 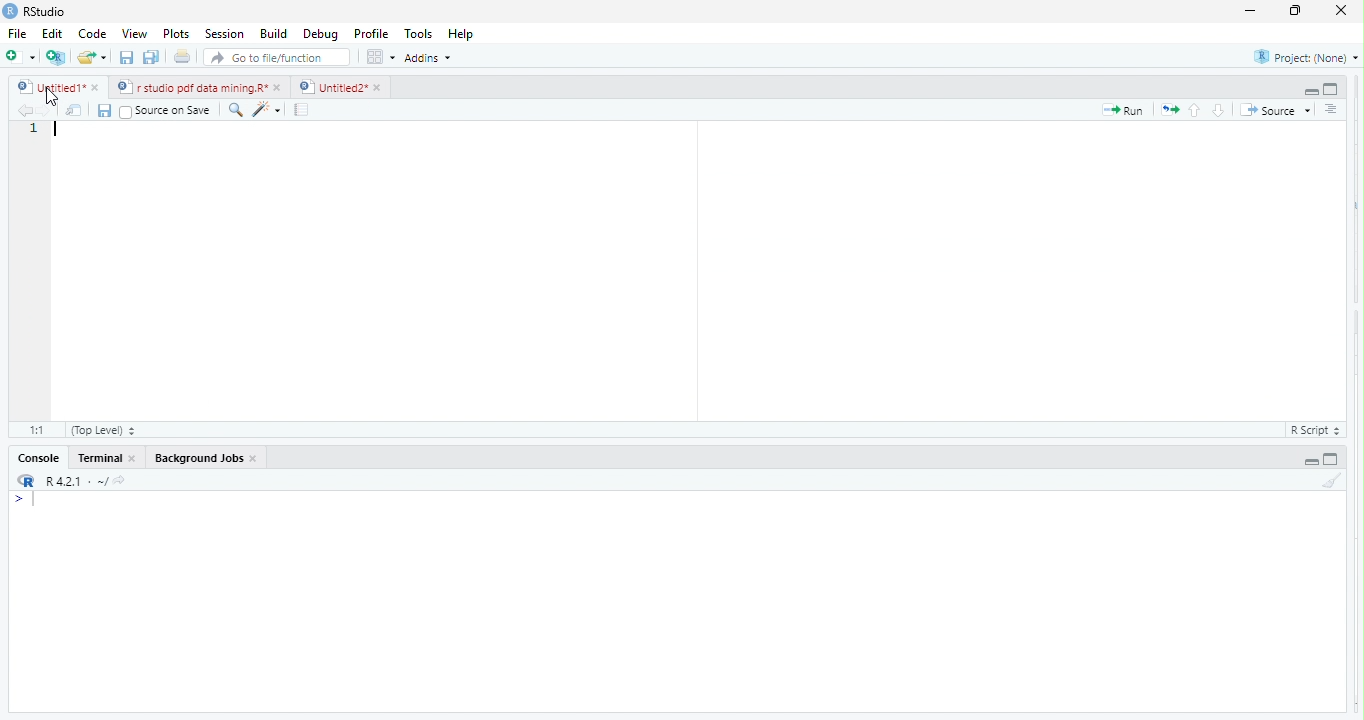 What do you see at coordinates (1220, 110) in the screenshot?
I see `go to next section/chunk` at bounding box center [1220, 110].